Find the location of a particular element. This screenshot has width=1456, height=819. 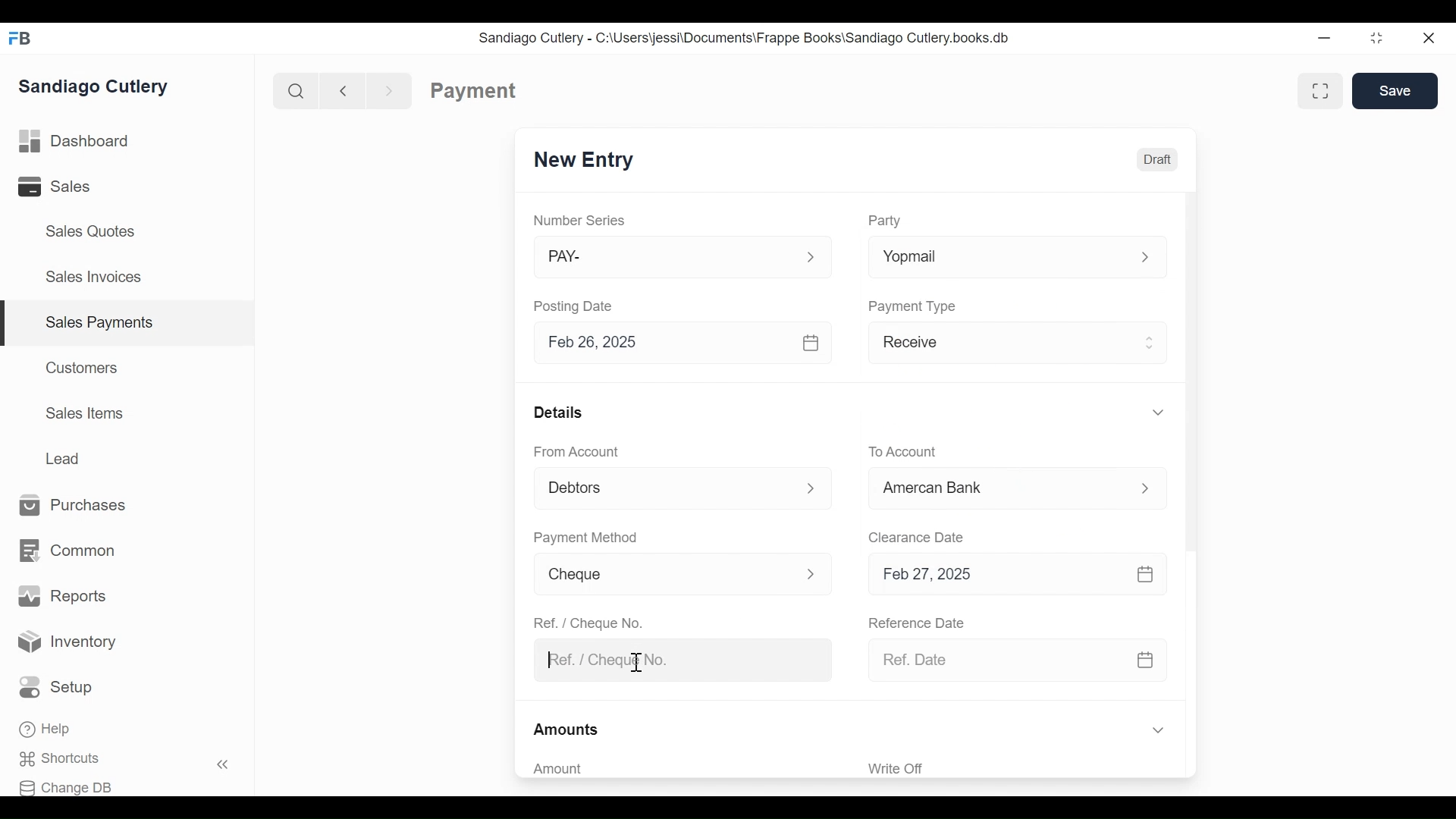

Clearance Date is located at coordinates (917, 538).